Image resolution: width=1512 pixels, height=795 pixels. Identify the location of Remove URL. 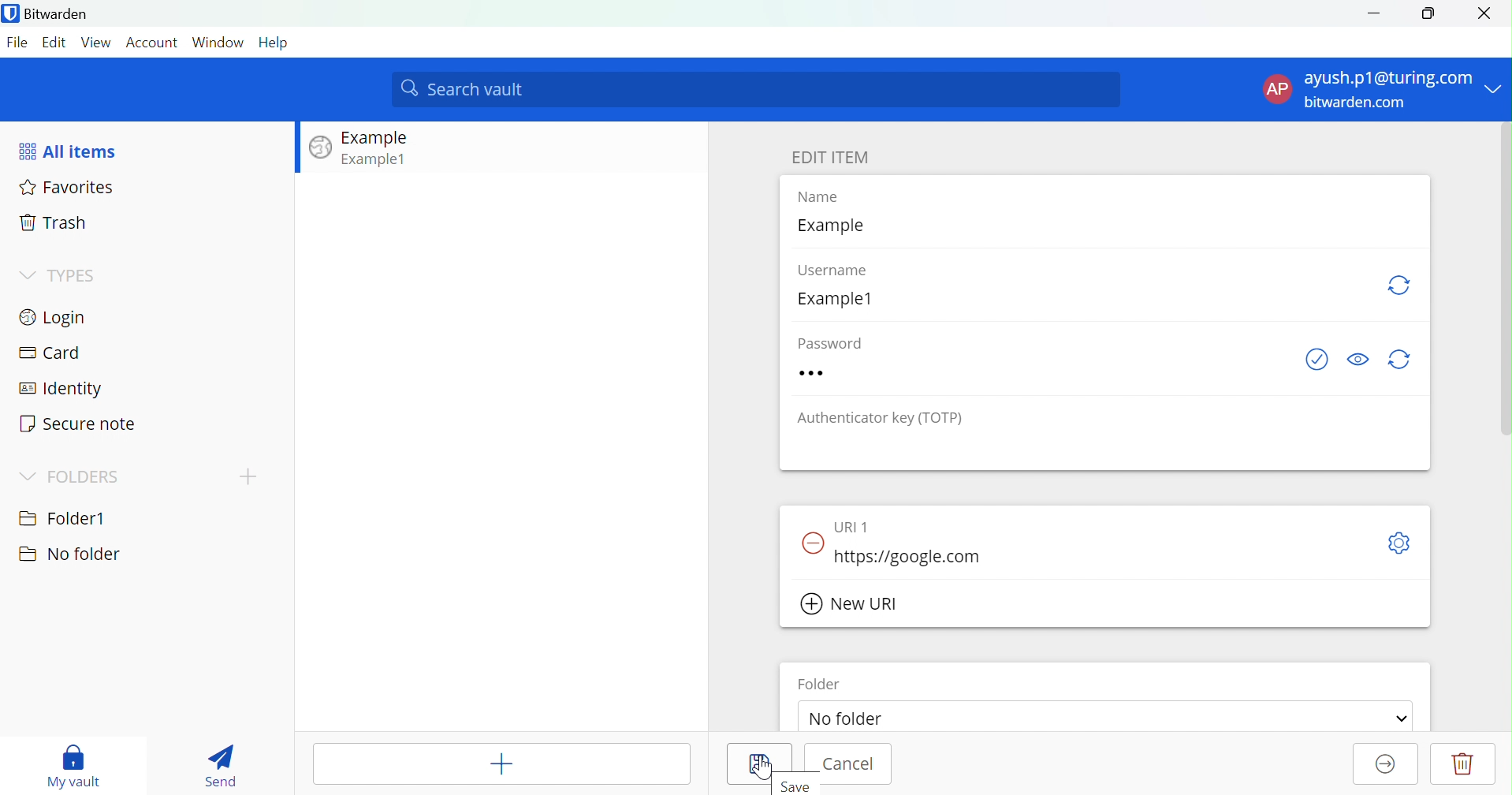
(814, 540).